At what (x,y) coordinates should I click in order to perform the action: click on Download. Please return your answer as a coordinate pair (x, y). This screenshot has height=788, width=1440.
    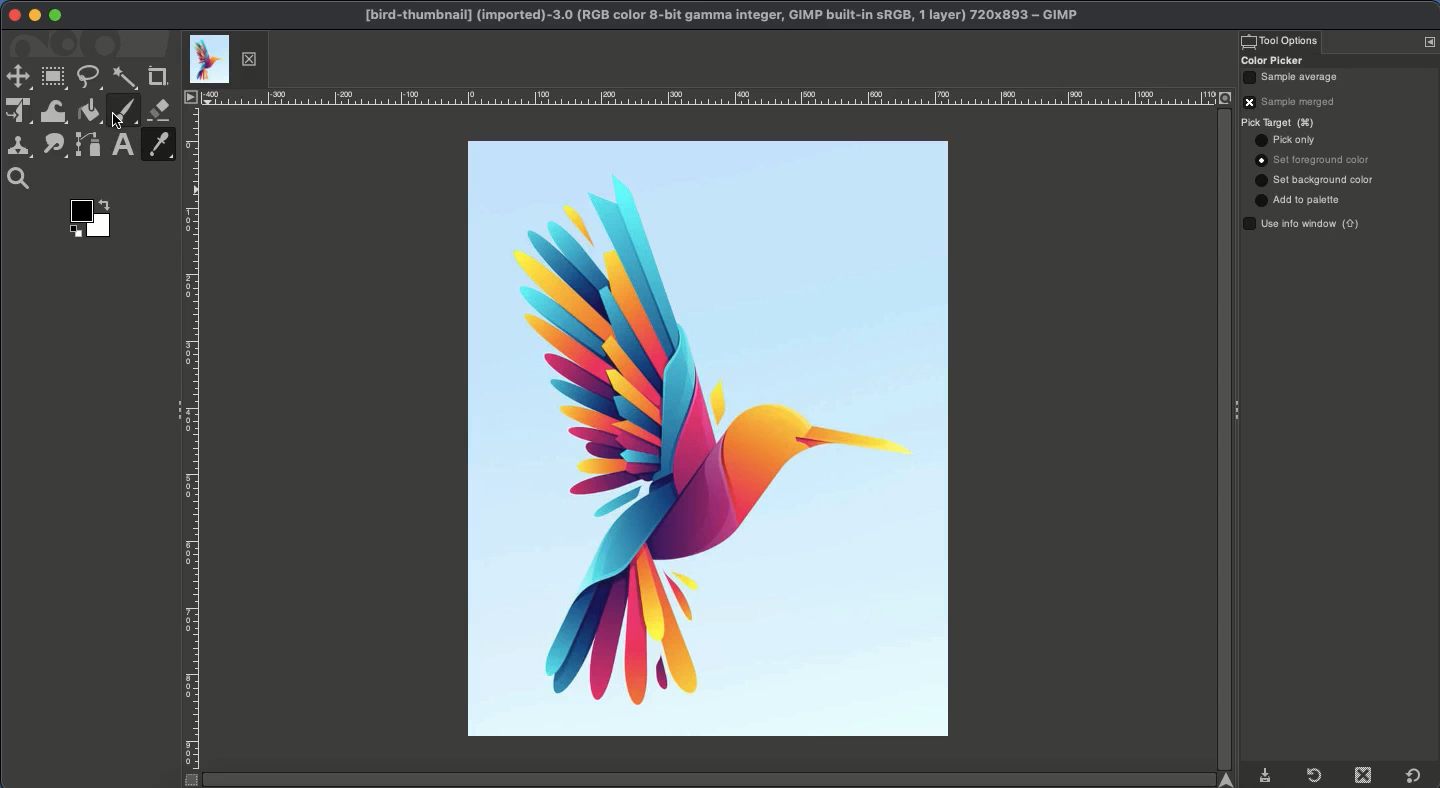
    Looking at the image, I should click on (1266, 777).